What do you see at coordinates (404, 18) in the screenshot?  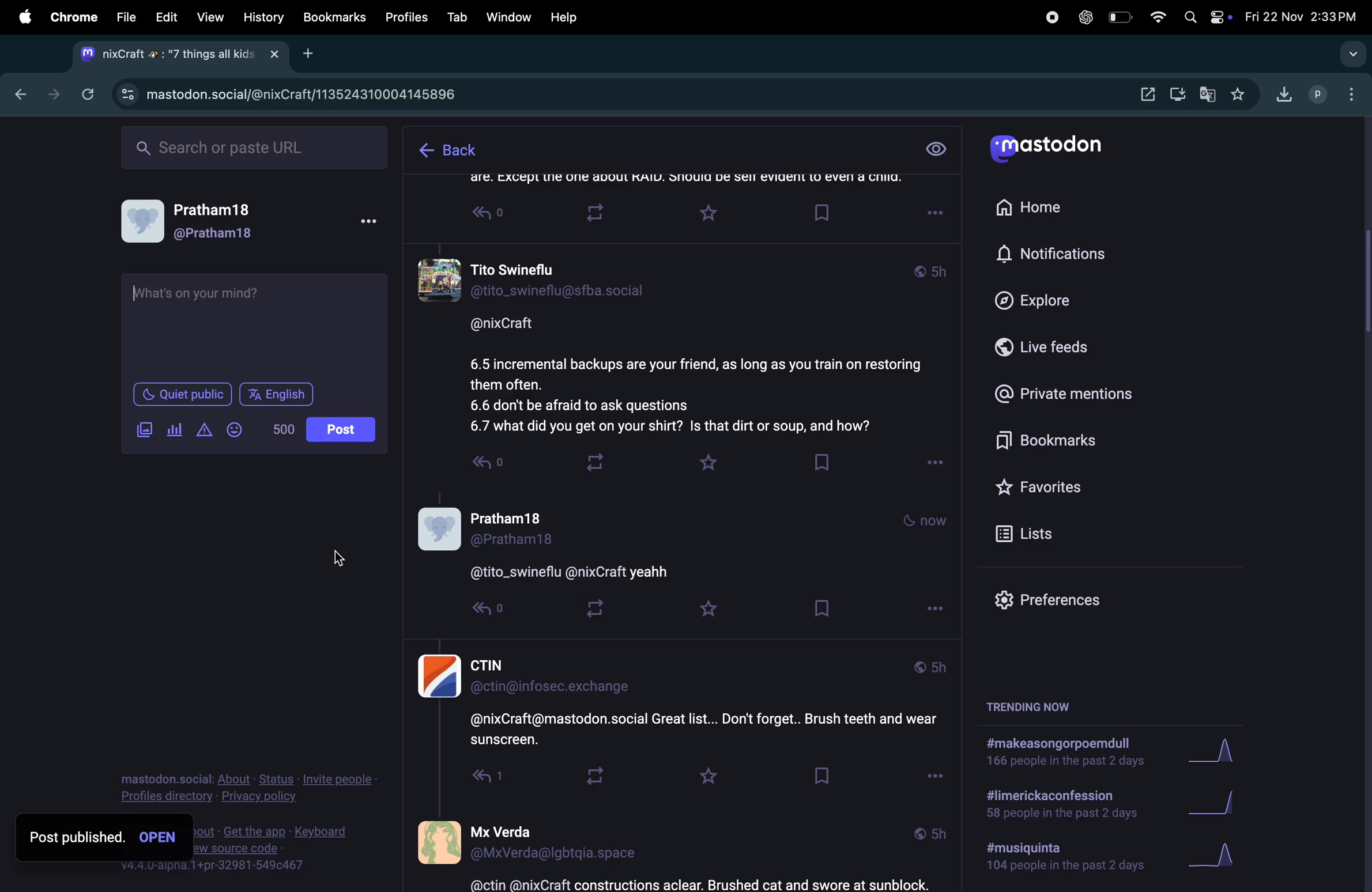 I see `profiles` at bounding box center [404, 18].